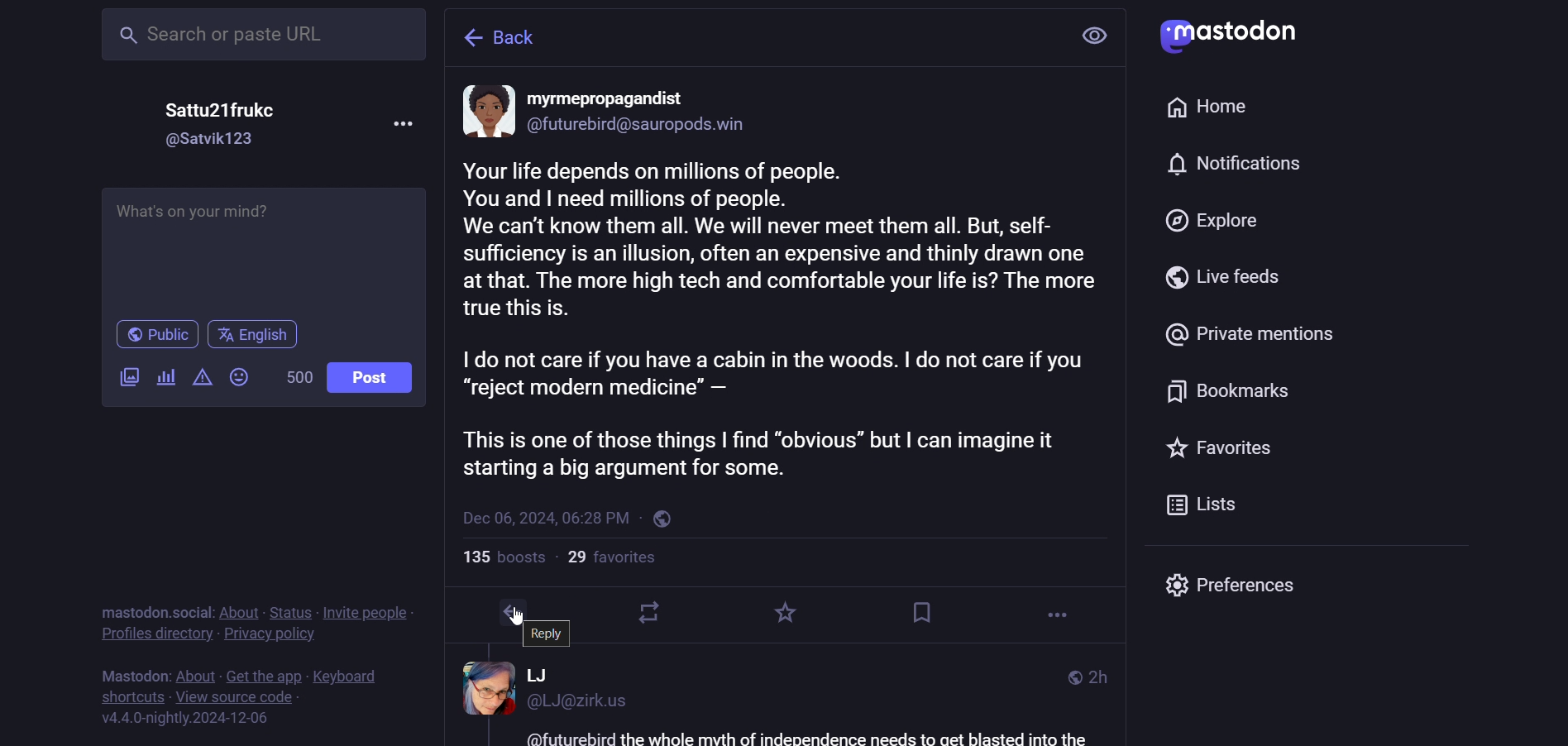 Image resolution: width=1568 pixels, height=746 pixels. Describe the element at coordinates (213, 139) in the screenshot. I see `id` at that location.